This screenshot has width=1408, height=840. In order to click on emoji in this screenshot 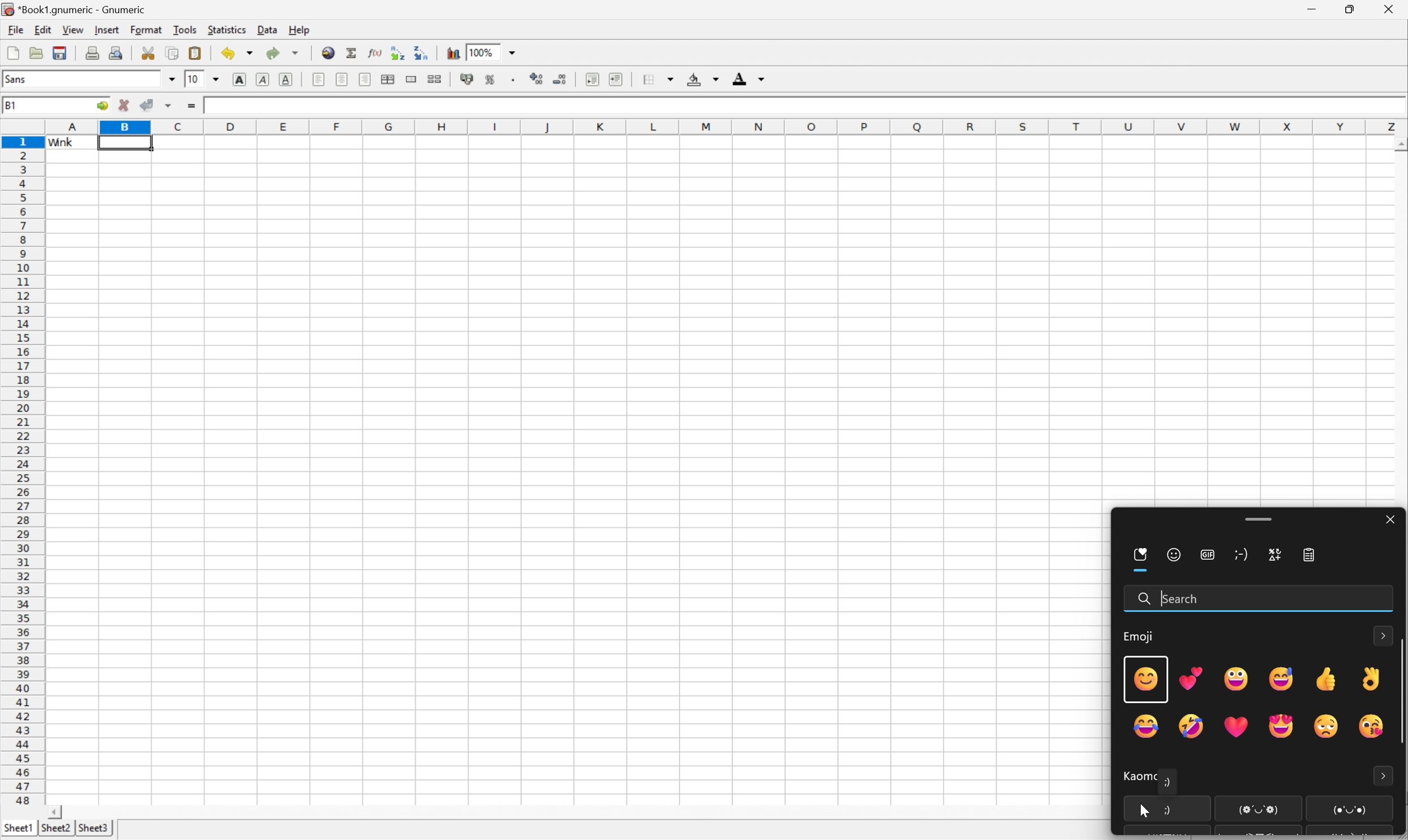, I will do `click(1140, 639)`.